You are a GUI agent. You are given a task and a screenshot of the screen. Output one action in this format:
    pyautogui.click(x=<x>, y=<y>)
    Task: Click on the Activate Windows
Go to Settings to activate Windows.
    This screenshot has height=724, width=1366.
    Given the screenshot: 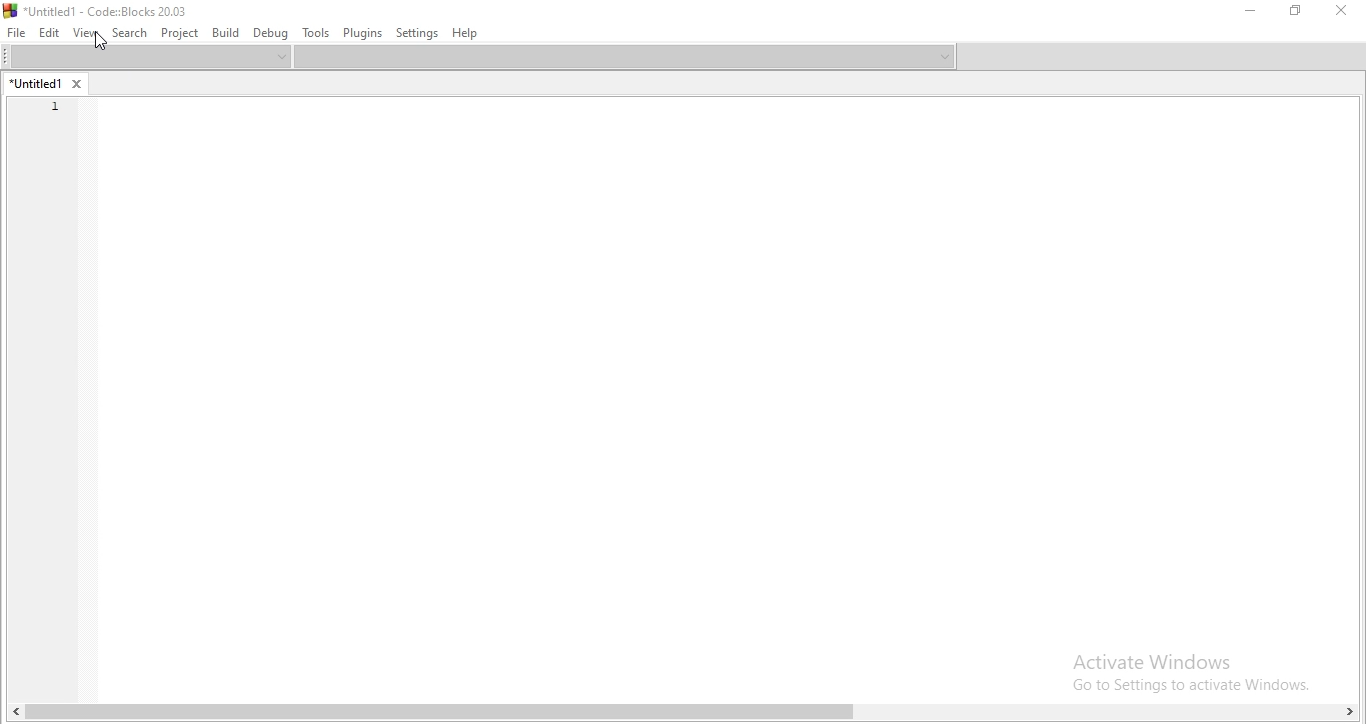 What is the action you would take?
    pyautogui.click(x=1183, y=663)
    